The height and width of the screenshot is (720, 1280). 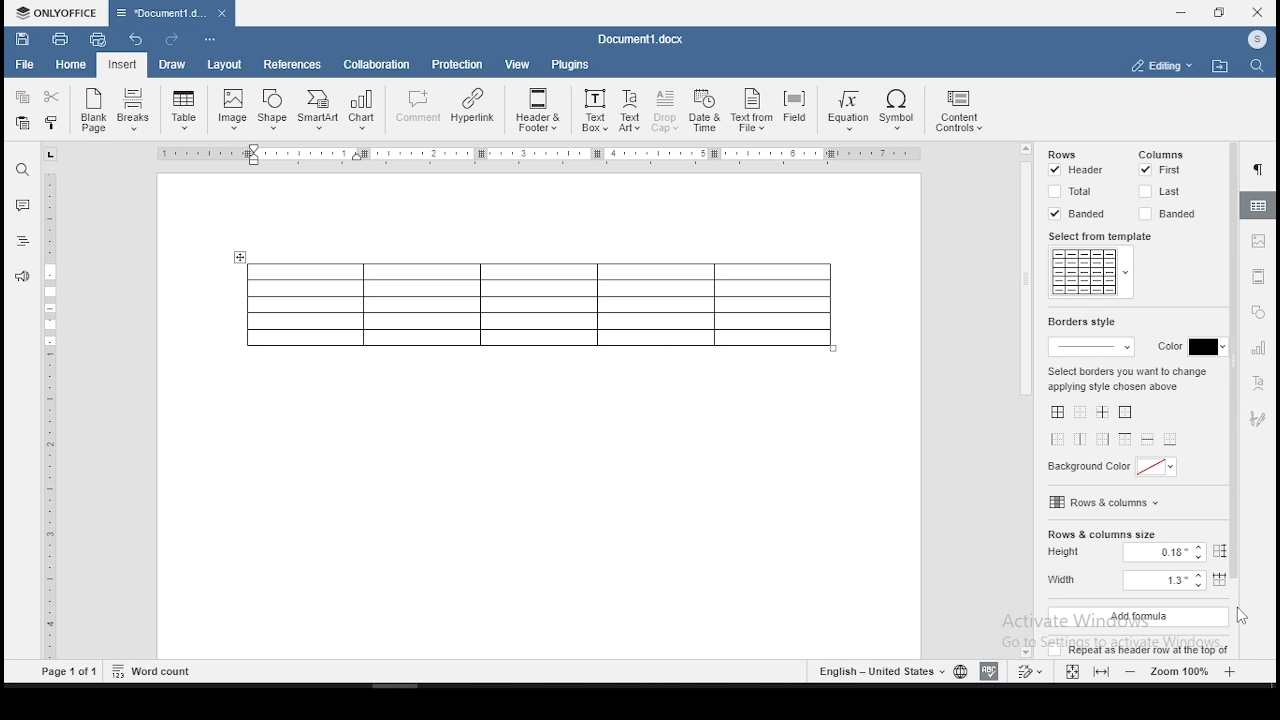 What do you see at coordinates (1241, 617) in the screenshot?
I see `cursor` at bounding box center [1241, 617].